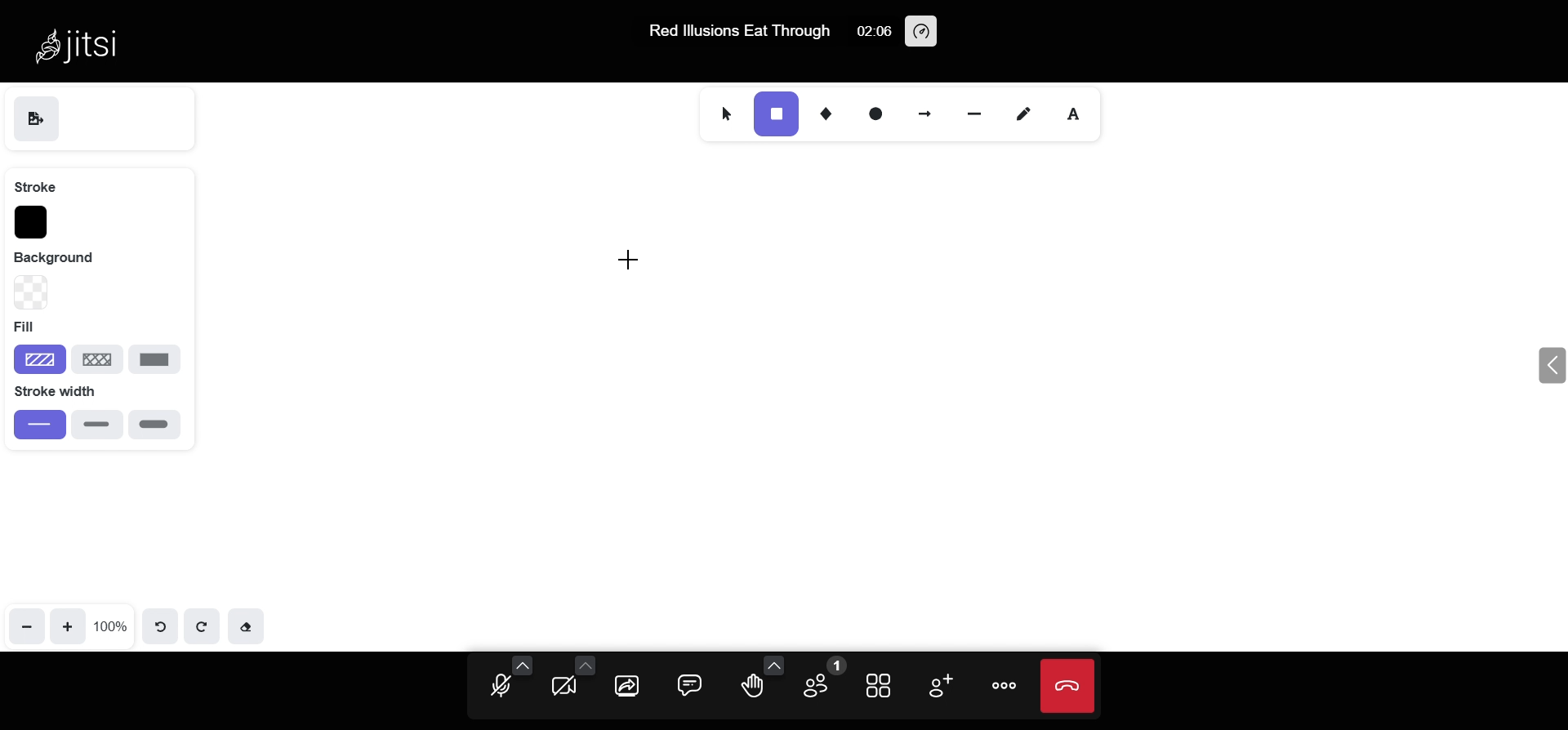 Image resolution: width=1568 pixels, height=730 pixels. I want to click on camera, so click(565, 689).